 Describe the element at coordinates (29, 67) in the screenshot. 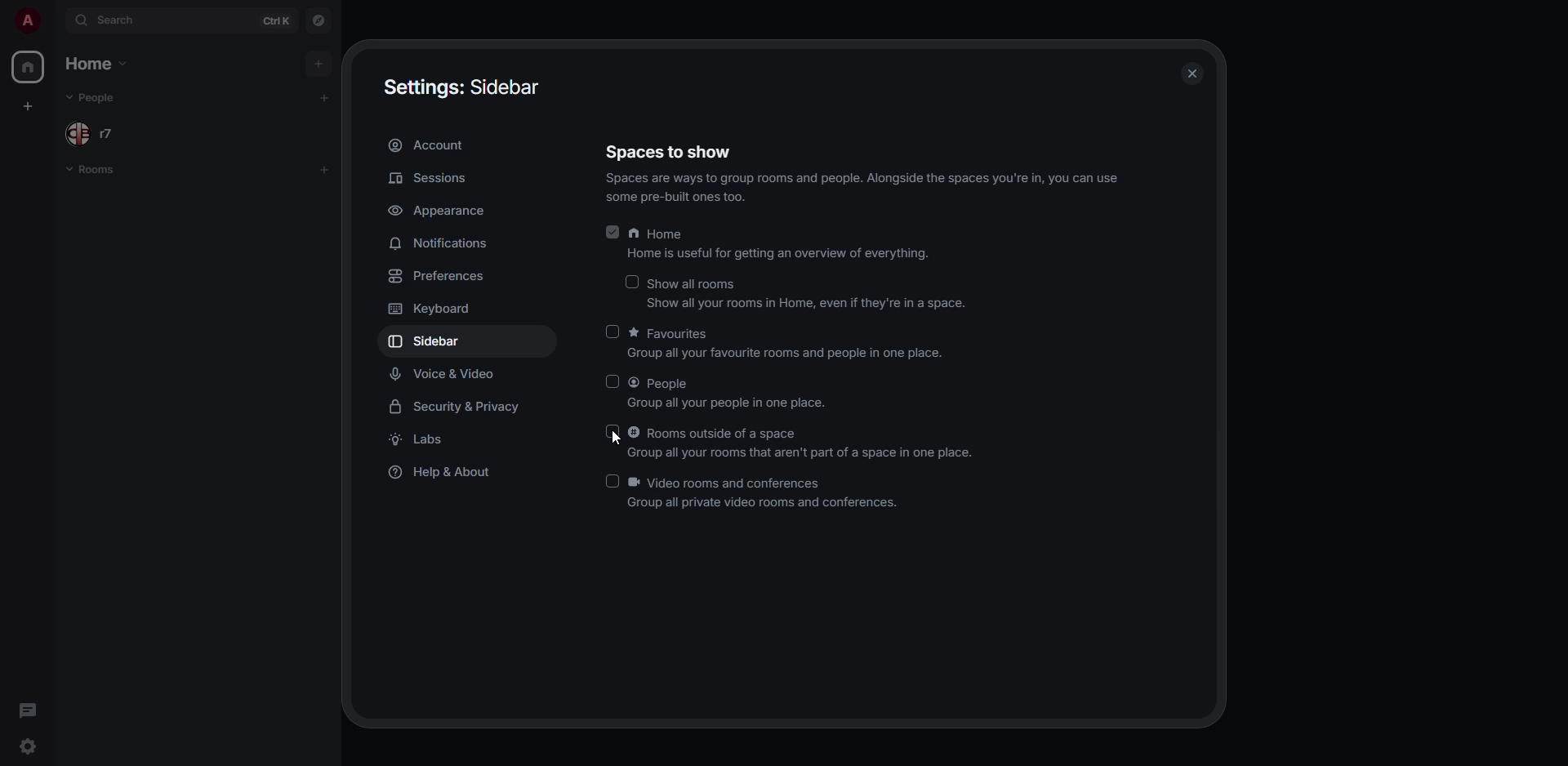

I see `home` at that location.